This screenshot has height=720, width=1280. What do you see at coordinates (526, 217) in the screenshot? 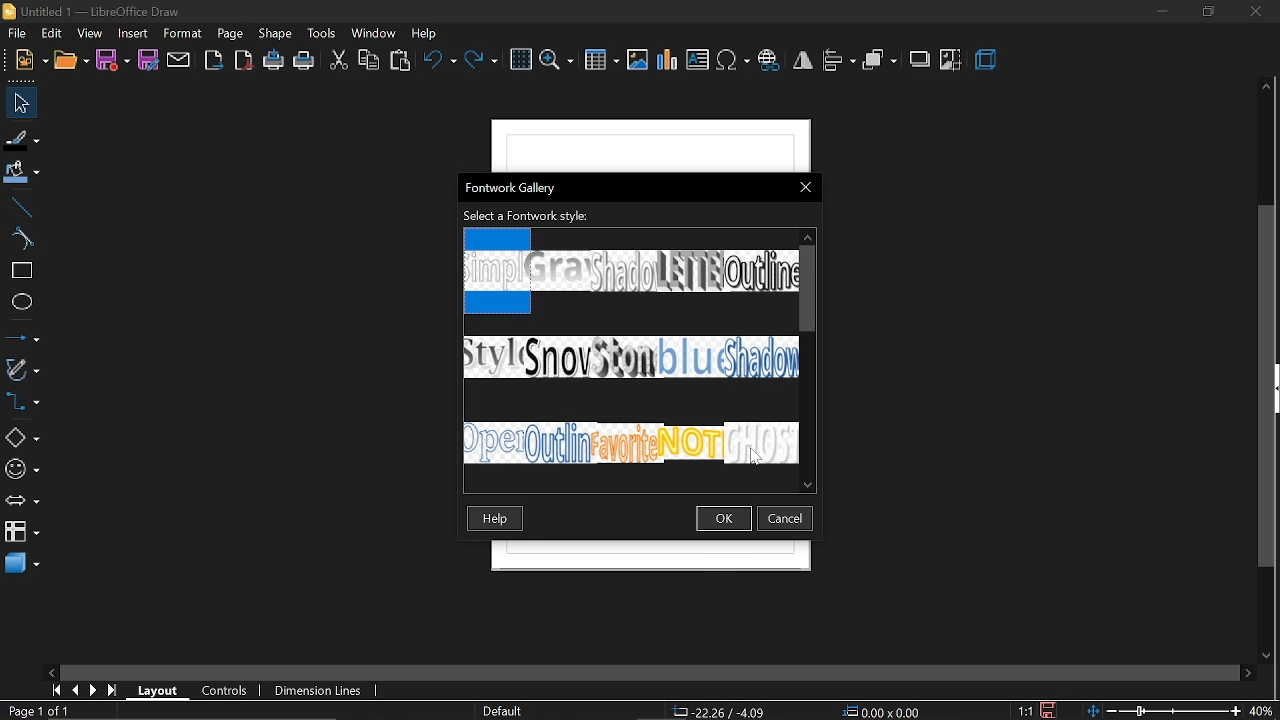
I see `select fontwork style` at bounding box center [526, 217].